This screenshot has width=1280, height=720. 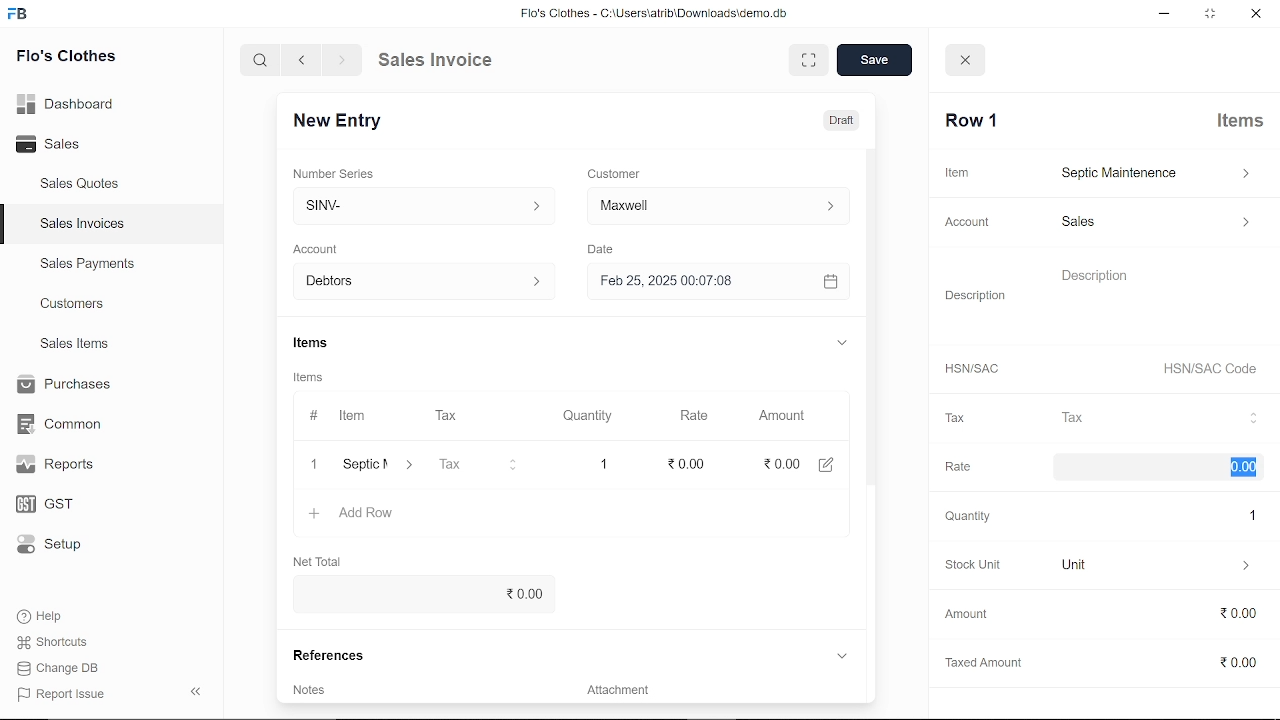 What do you see at coordinates (978, 659) in the screenshot?
I see `Taxed Amount` at bounding box center [978, 659].